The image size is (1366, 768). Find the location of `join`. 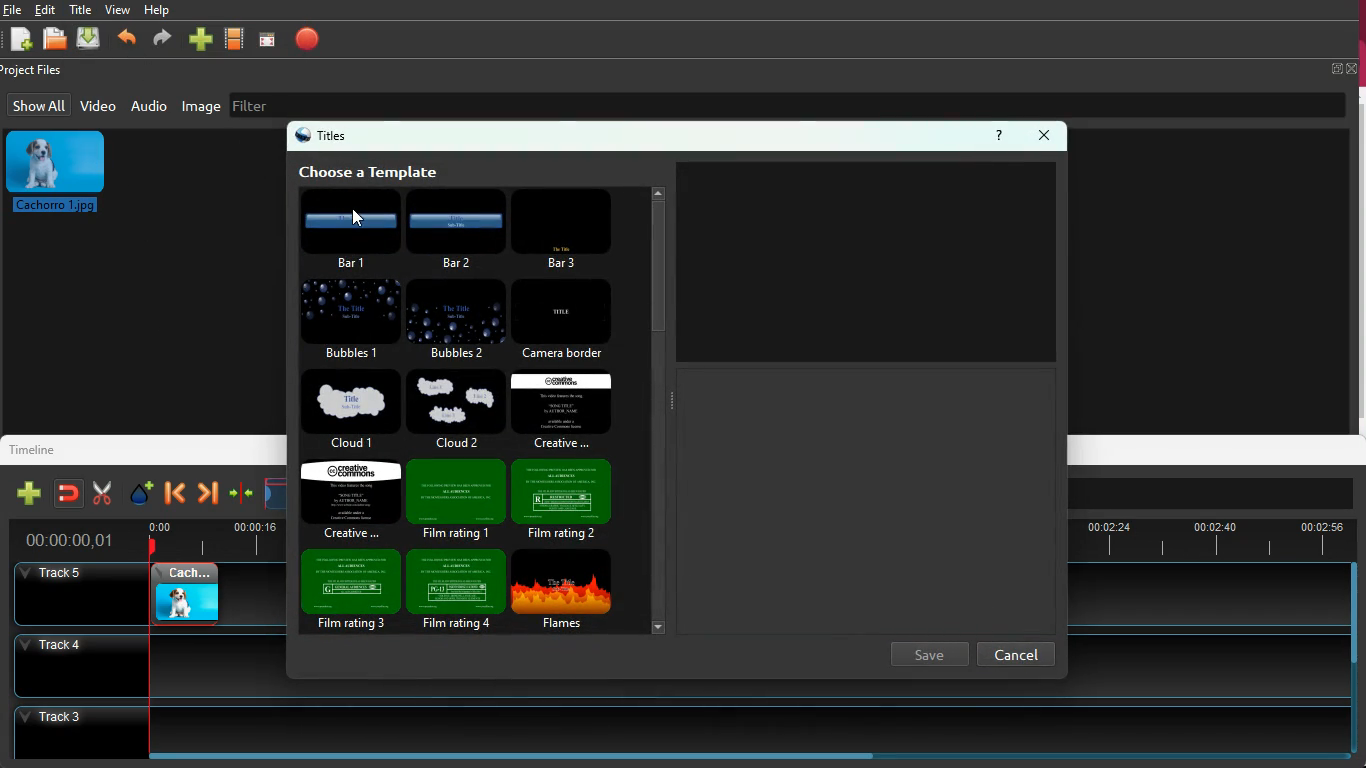

join is located at coordinates (67, 493).